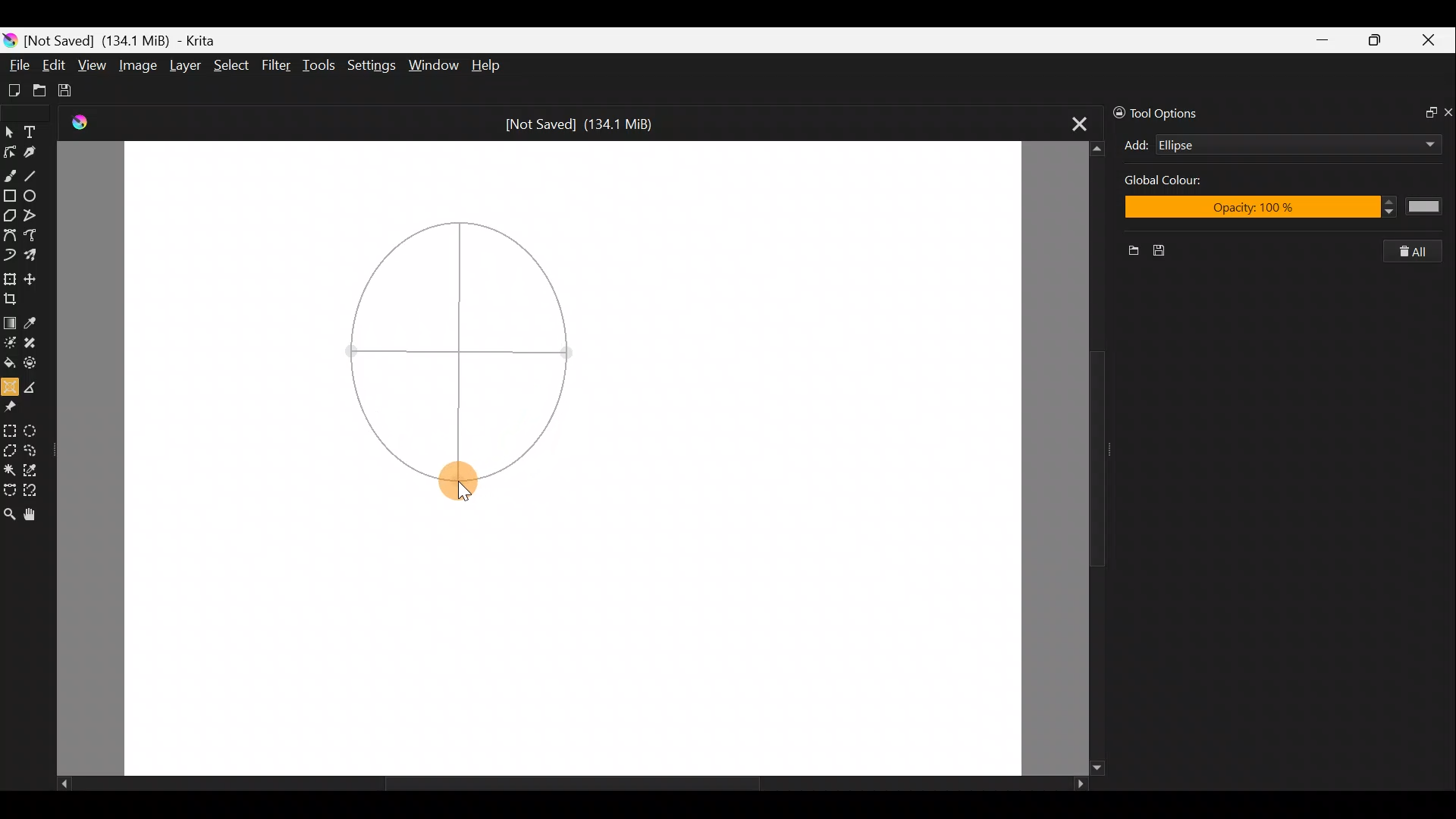  What do you see at coordinates (36, 488) in the screenshot?
I see `Magnetic curve selection tool` at bounding box center [36, 488].